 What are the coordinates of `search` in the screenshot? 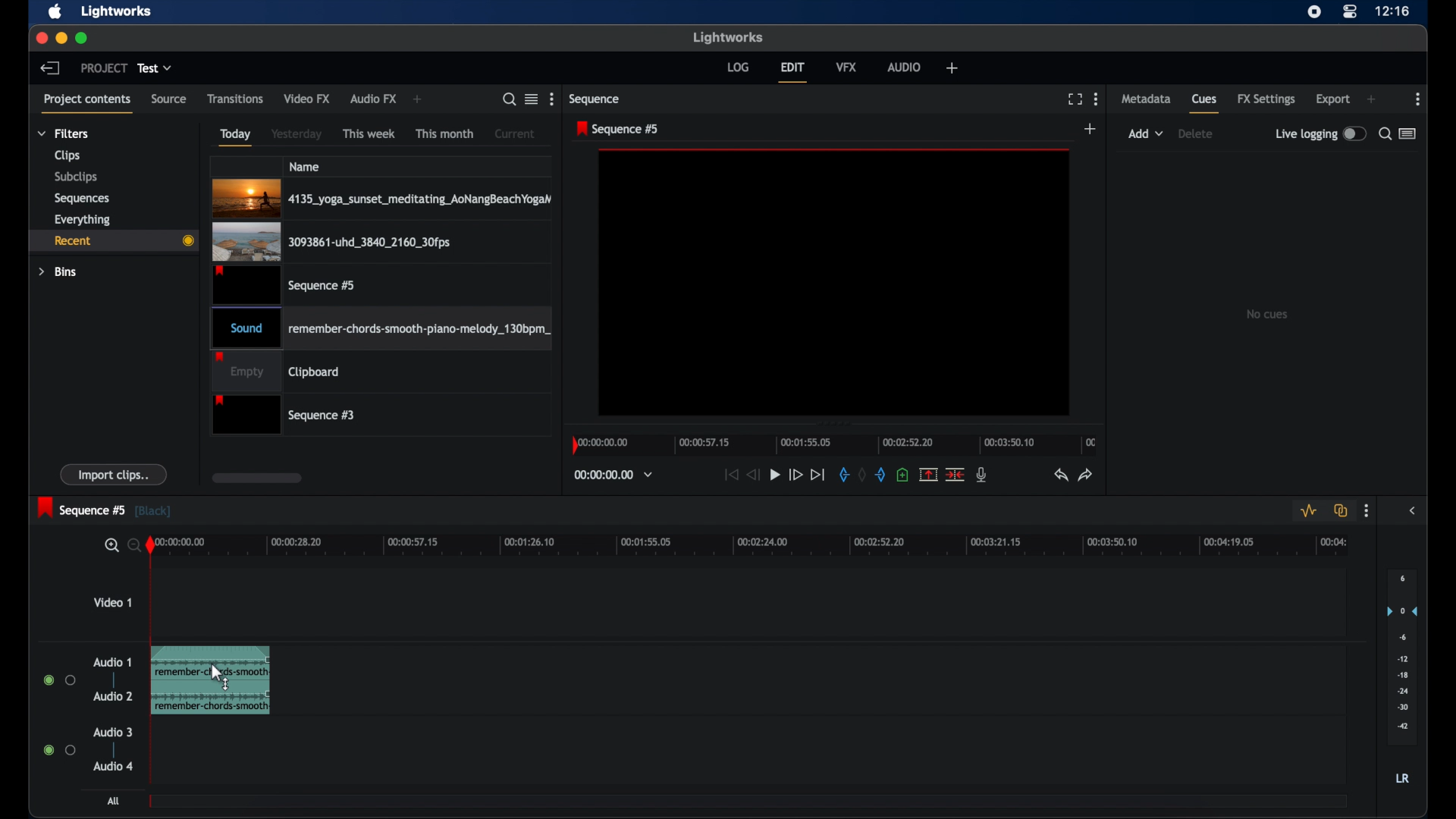 It's located at (1384, 133).